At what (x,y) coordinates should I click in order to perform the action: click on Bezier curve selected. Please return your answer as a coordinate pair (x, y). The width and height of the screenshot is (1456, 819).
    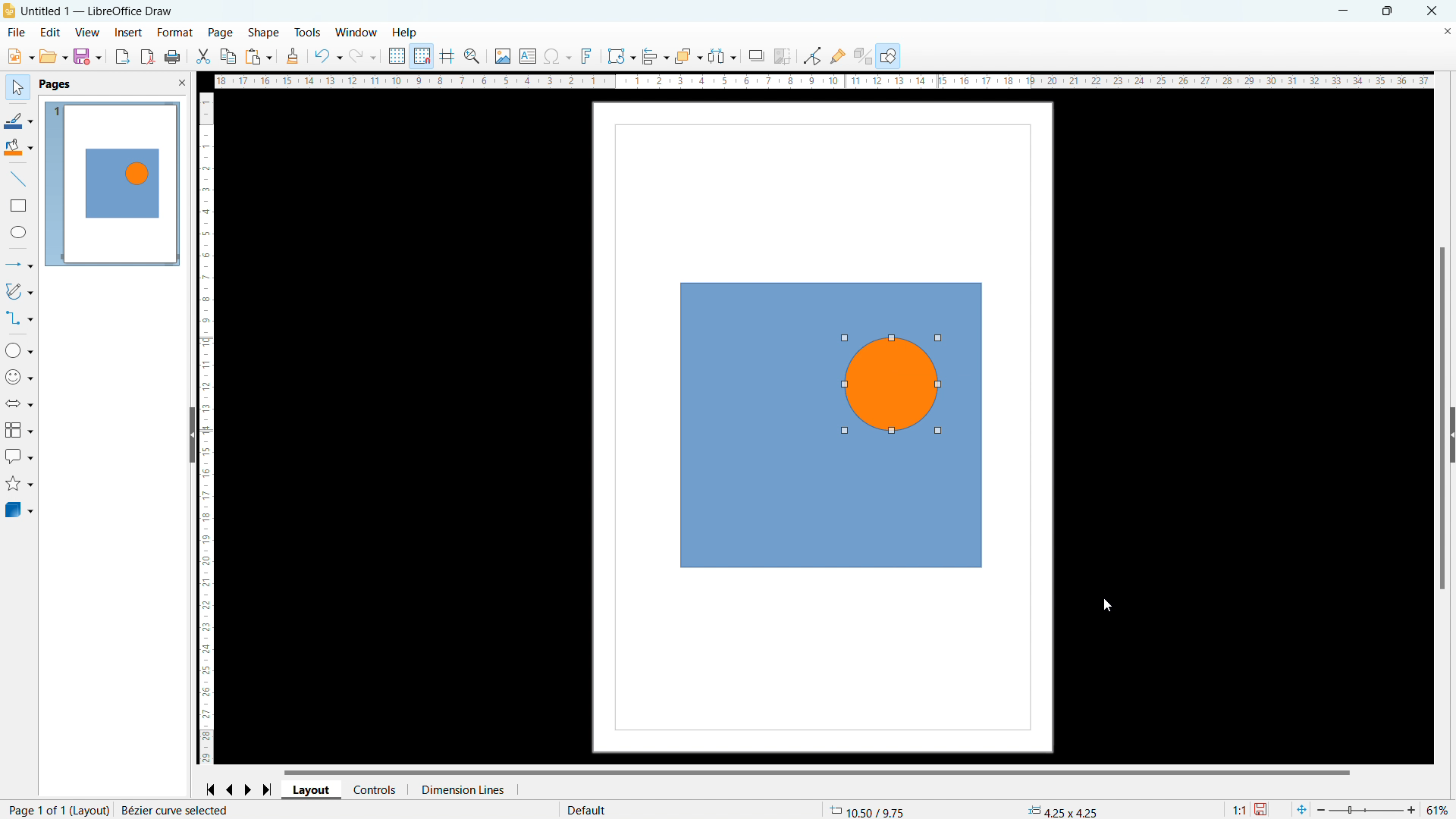
    Looking at the image, I should click on (196, 809).